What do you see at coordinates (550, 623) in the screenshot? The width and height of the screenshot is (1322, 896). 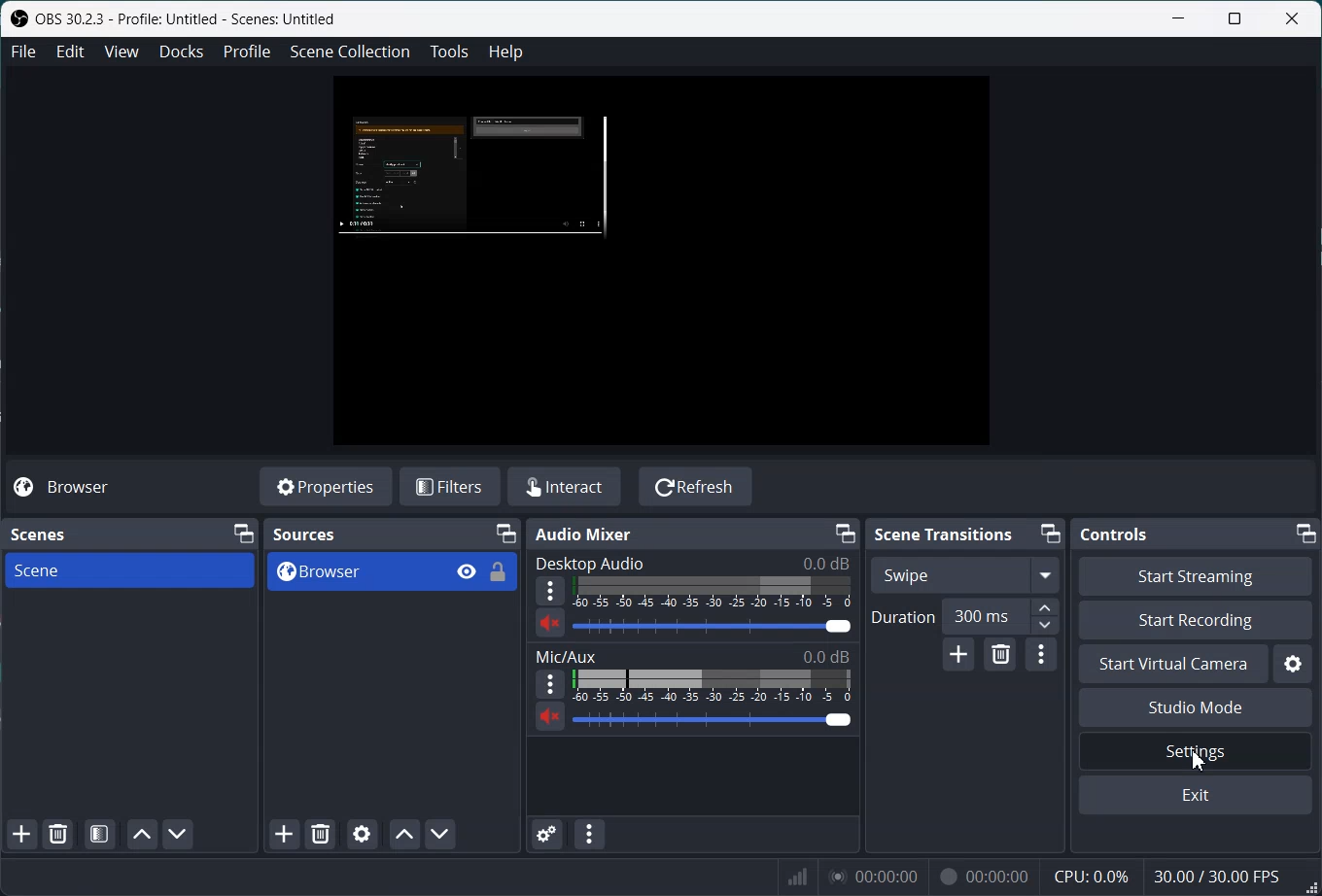 I see `Mute/ Unmute` at bounding box center [550, 623].